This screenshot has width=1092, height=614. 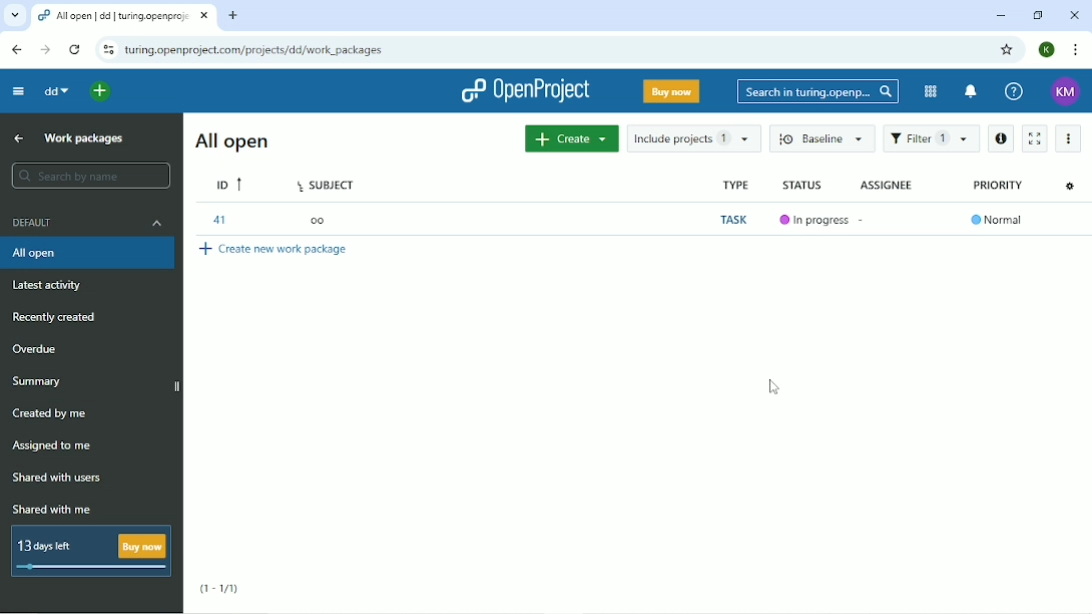 What do you see at coordinates (89, 254) in the screenshot?
I see `All open` at bounding box center [89, 254].